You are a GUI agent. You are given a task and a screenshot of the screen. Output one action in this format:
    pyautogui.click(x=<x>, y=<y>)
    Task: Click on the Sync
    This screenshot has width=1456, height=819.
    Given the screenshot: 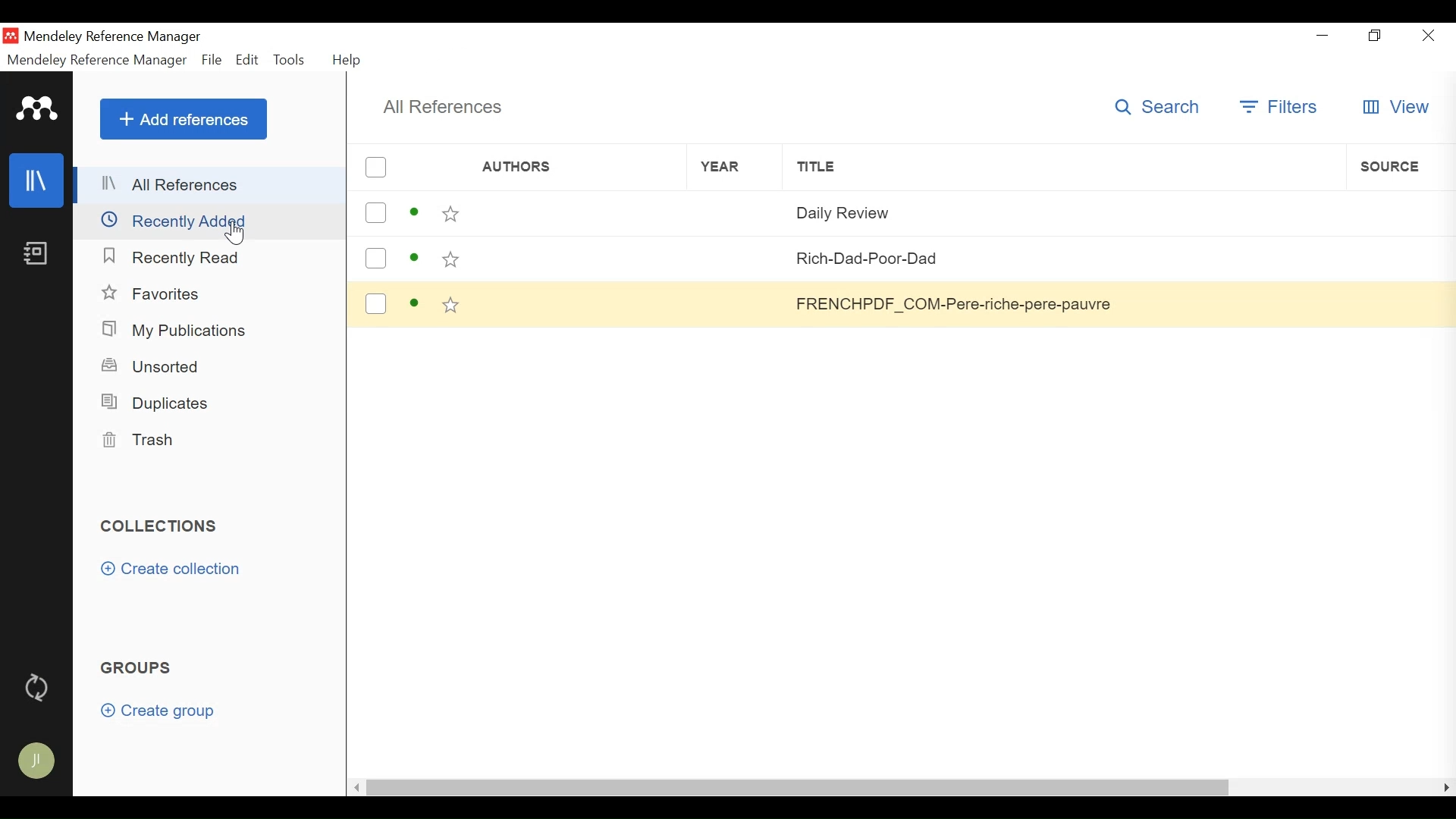 What is the action you would take?
    pyautogui.click(x=40, y=691)
    